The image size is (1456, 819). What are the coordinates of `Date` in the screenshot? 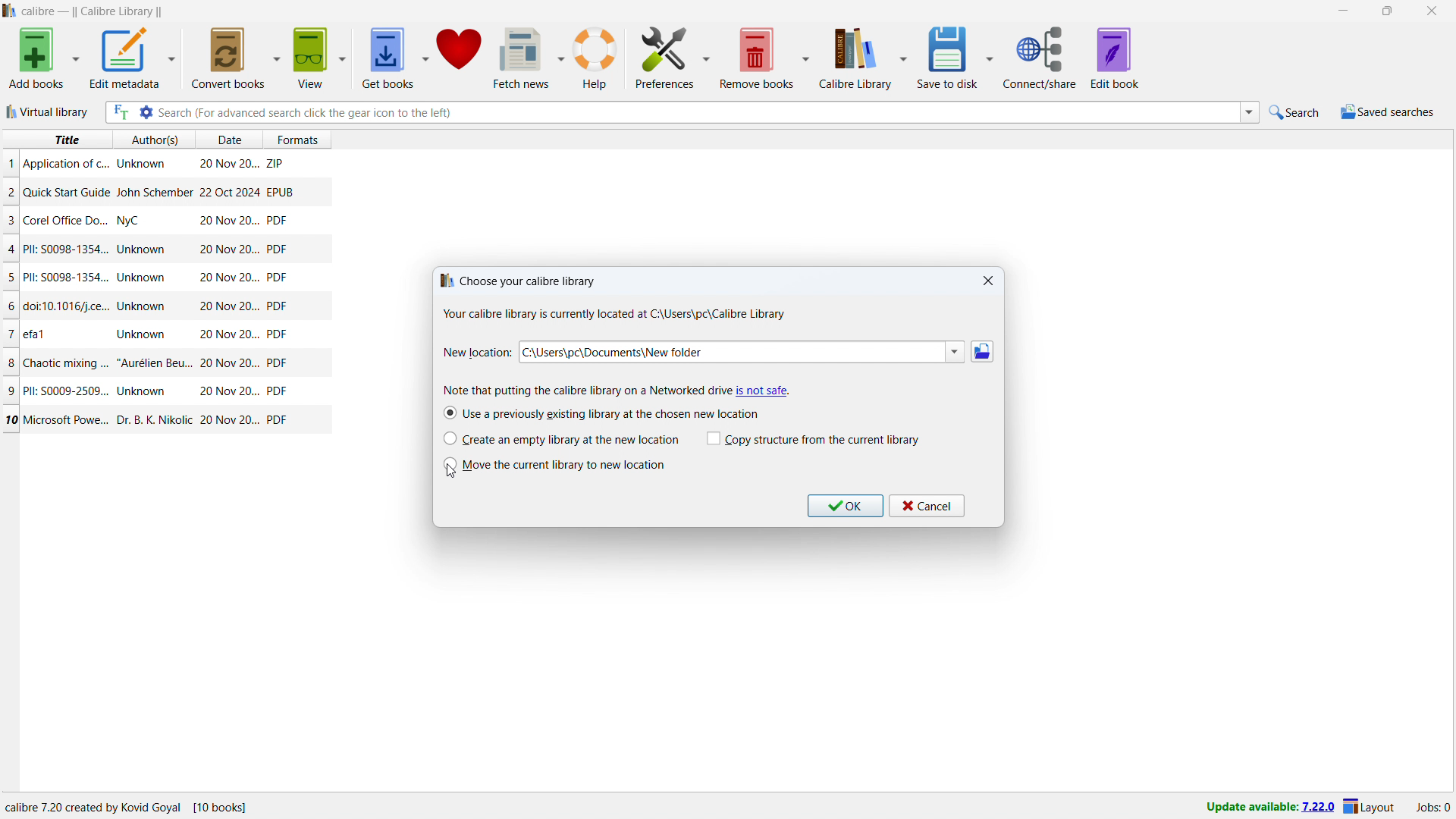 It's located at (229, 249).